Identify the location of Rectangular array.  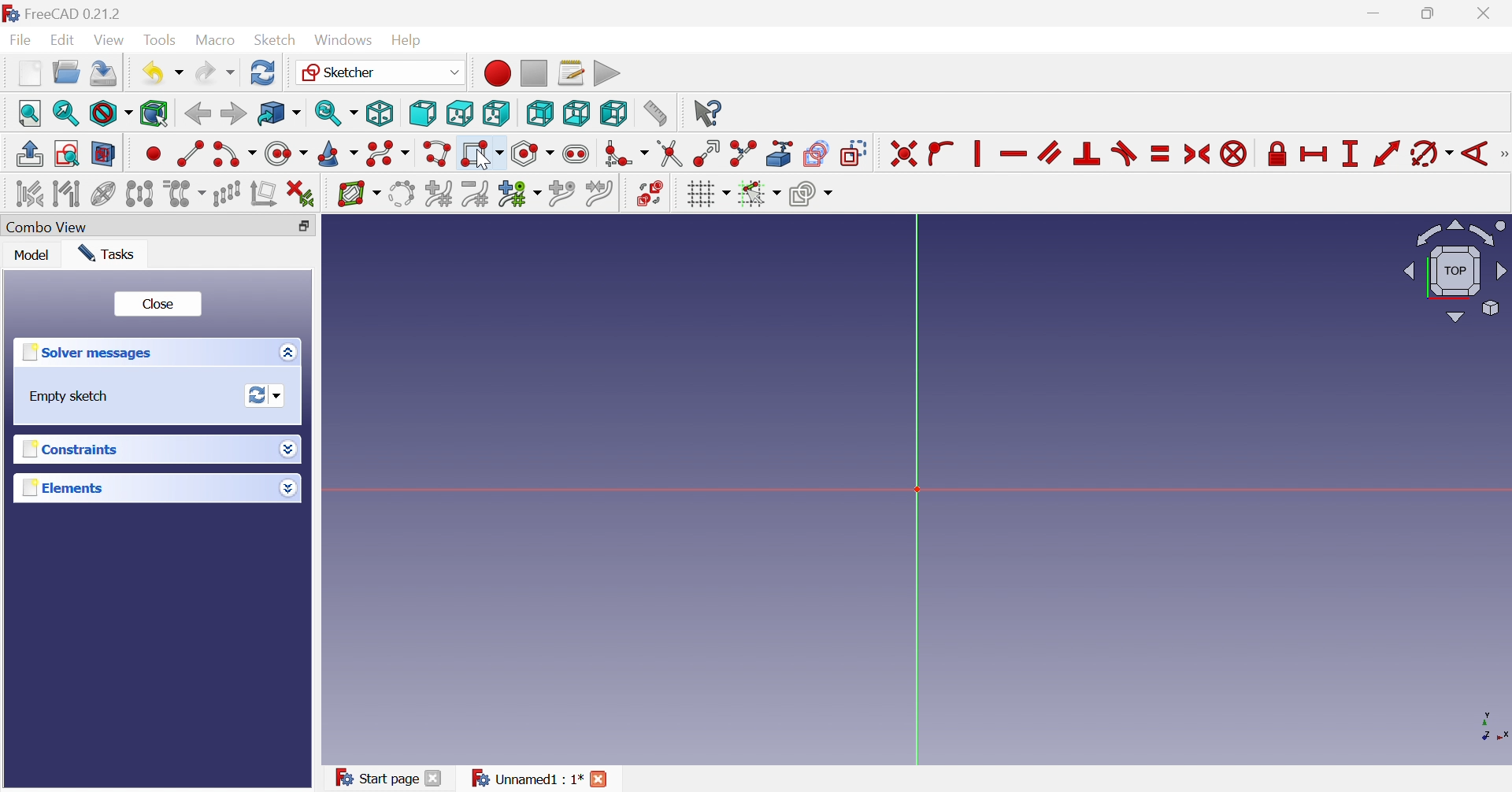
(227, 194).